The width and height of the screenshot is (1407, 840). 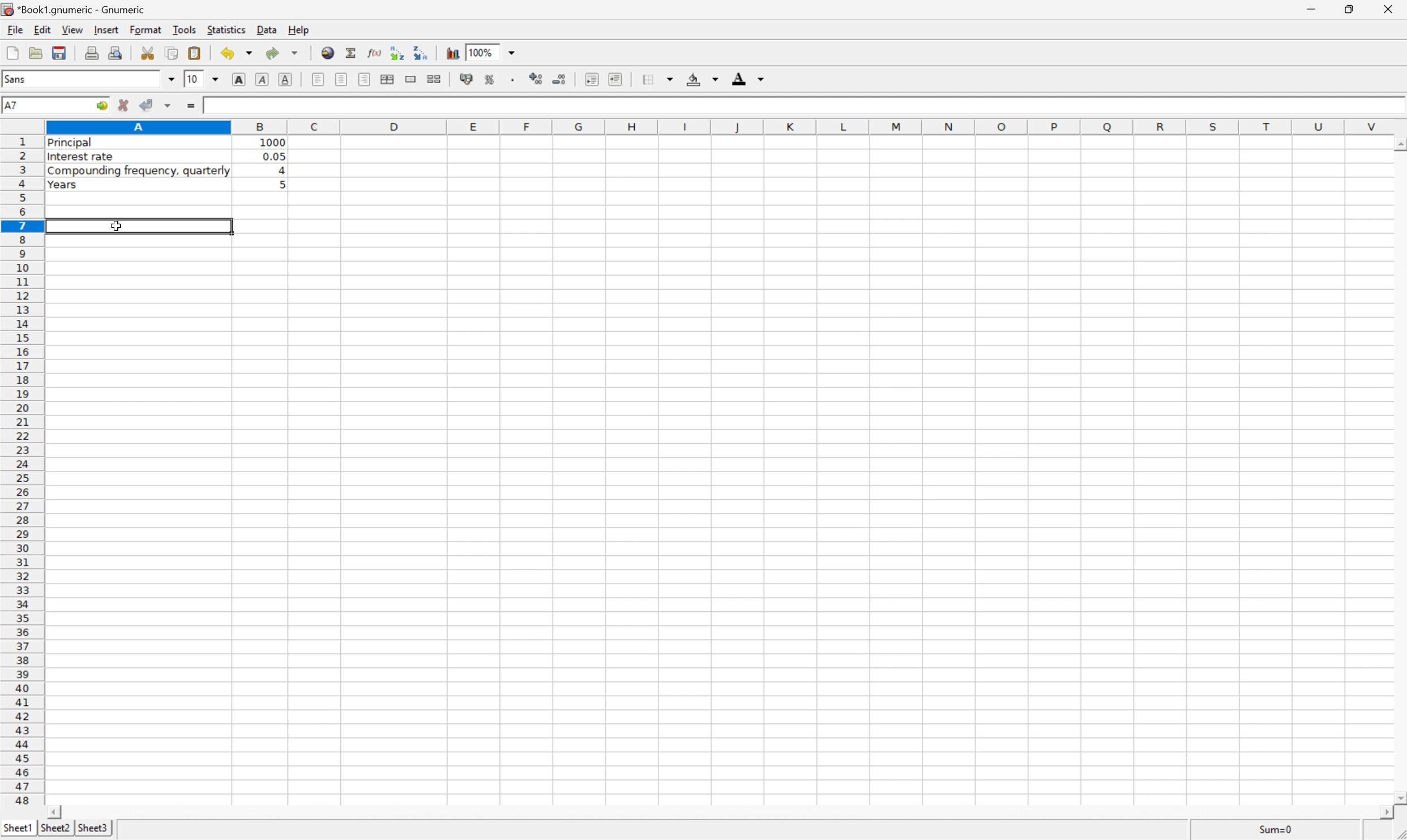 What do you see at coordinates (1398, 794) in the screenshot?
I see `scroll down` at bounding box center [1398, 794].